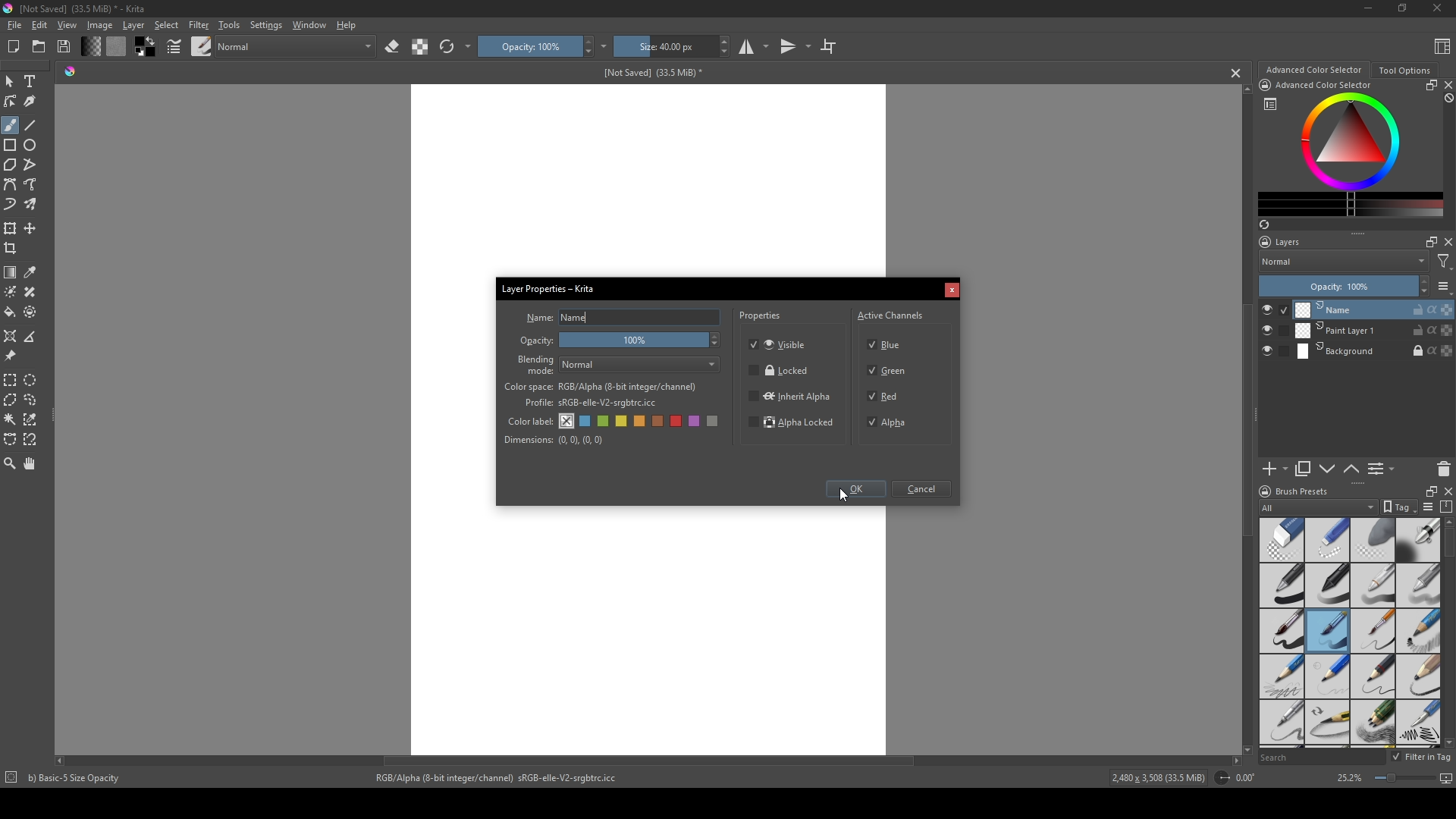  What do you see at coordinates (1404, 71) in the screenshot?
I see `Tool Options` at bounding box center [1404, 71].